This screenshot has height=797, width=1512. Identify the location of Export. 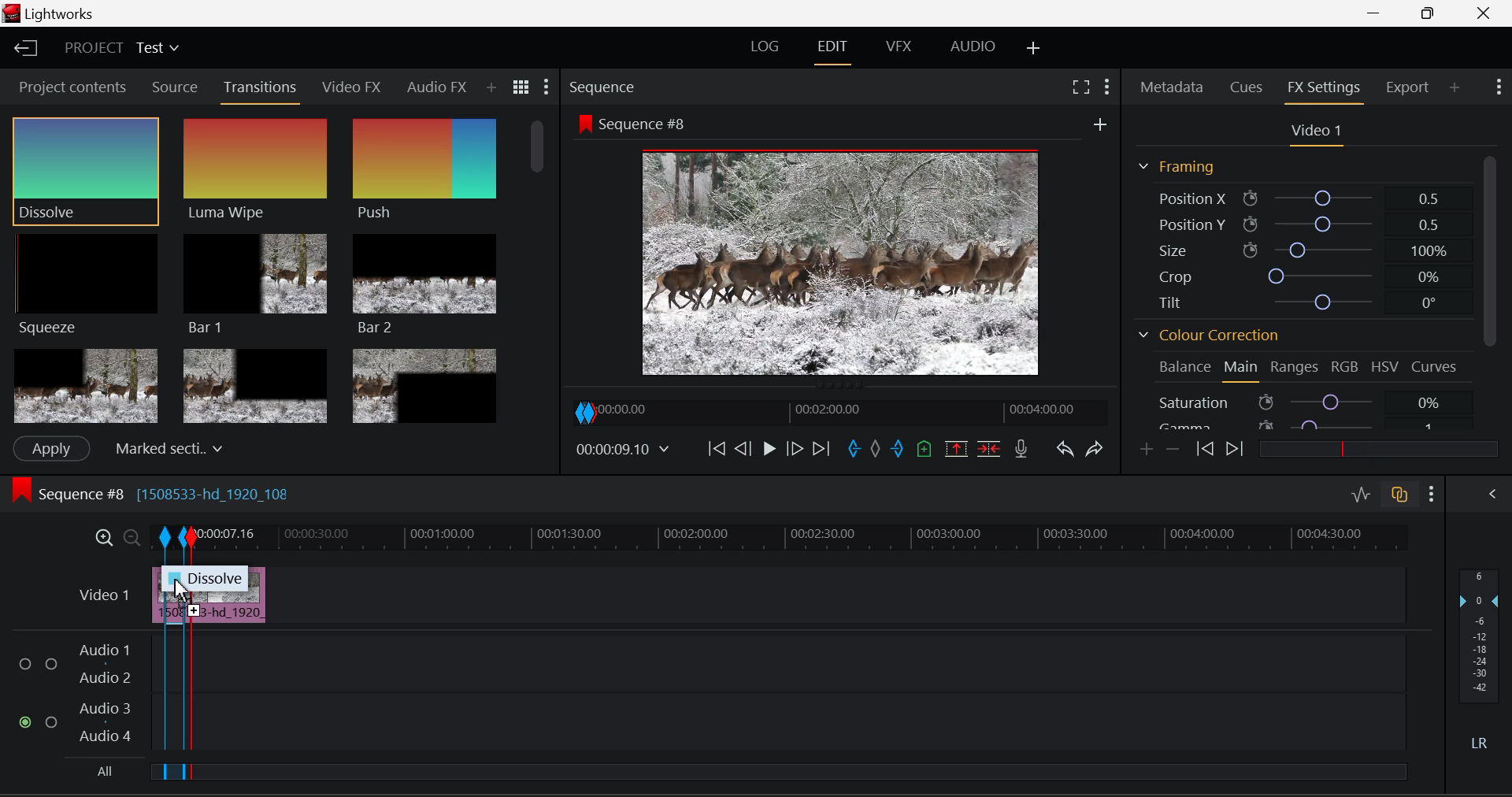
(1411, 87).